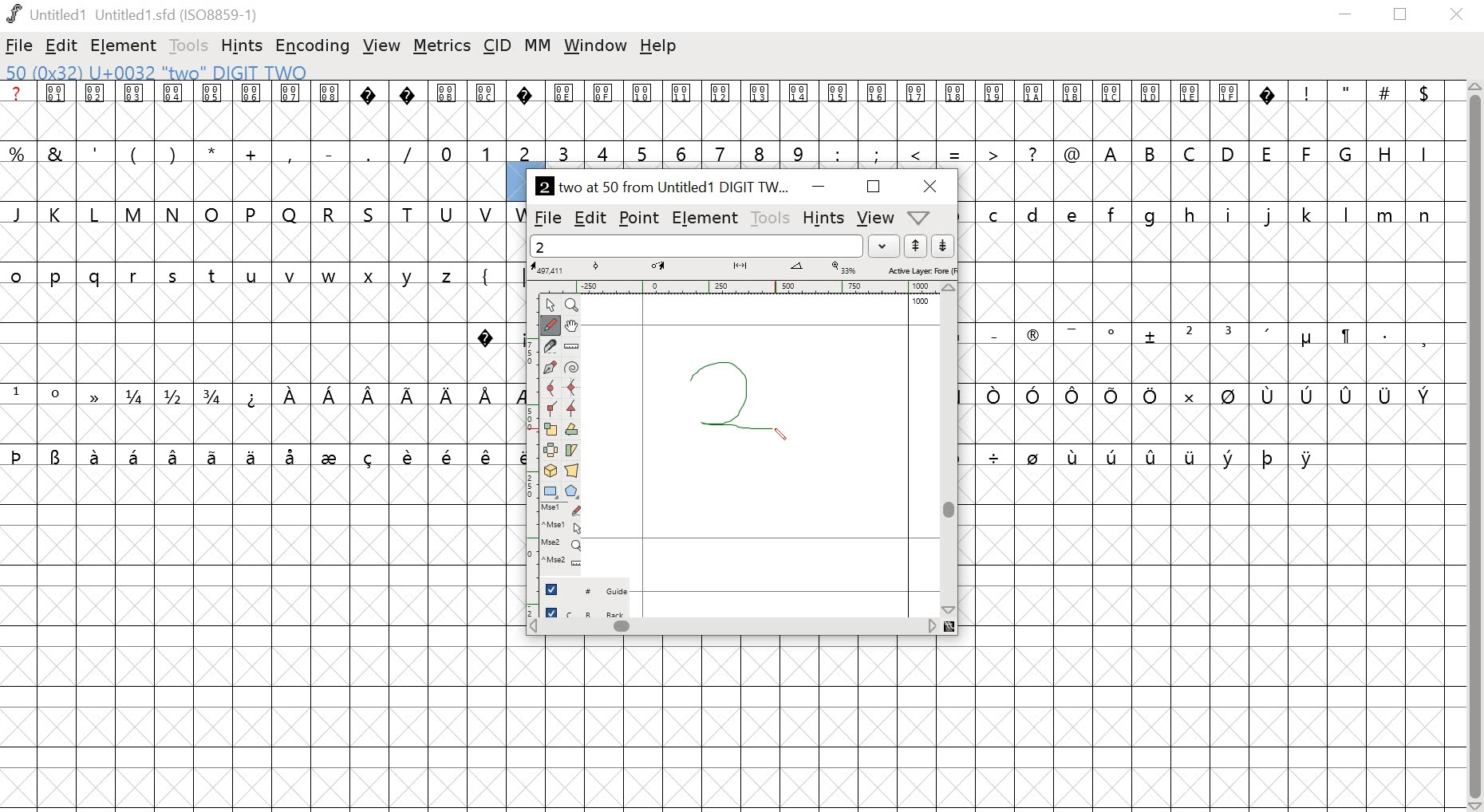 This screenshot has width=1484, height=812. I want to click on window, so click(595, 48).